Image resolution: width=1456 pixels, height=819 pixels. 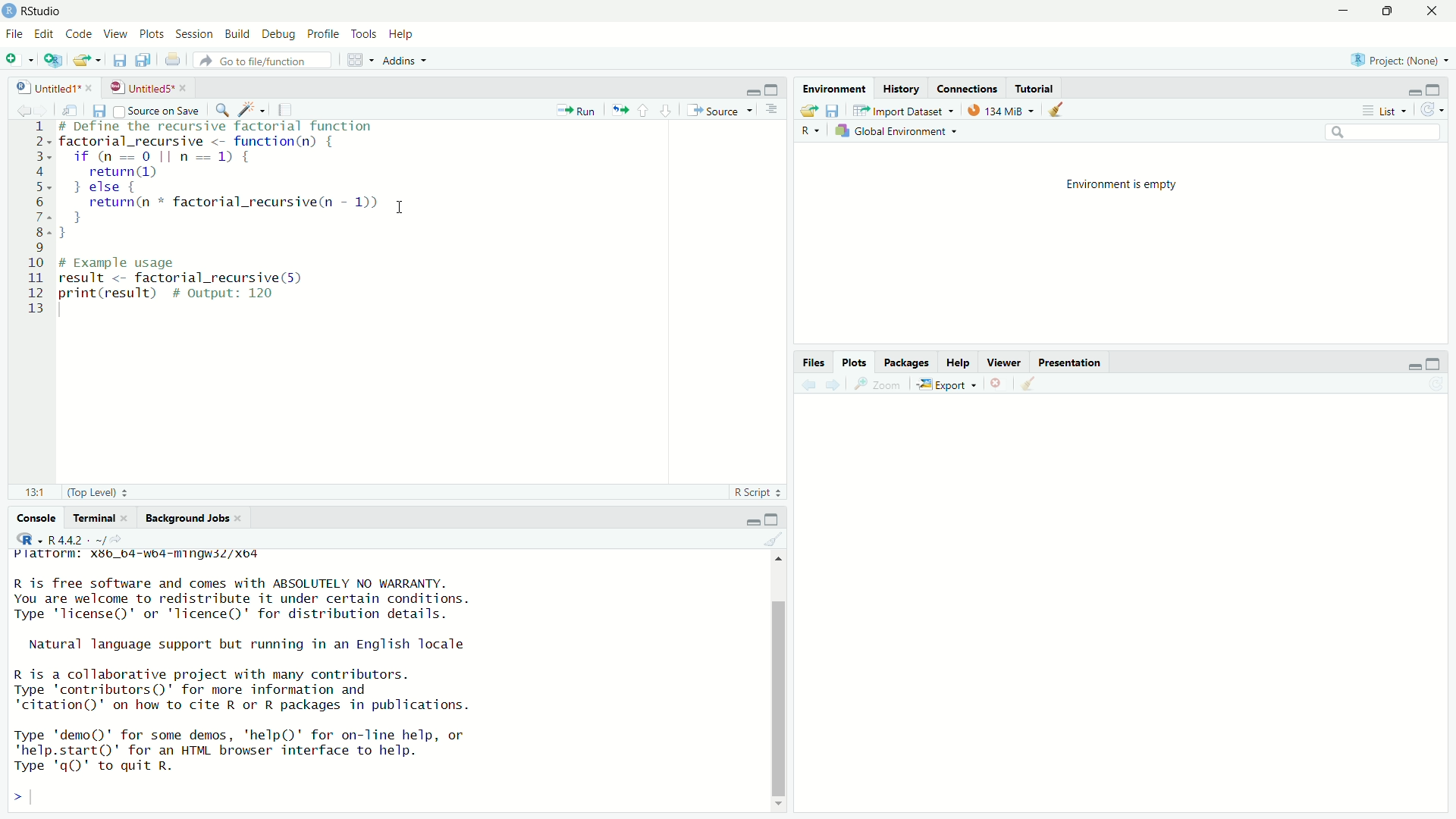 I want to click on Flatrorm. XxX38b_b4-wo4-mingwsZ/xo4

R is free software and comes with ABSOLUTELY NO WARRANTY.

You are welcome to redistribute it under certain conditions.

Type 'license()' or 'licence(D' for distribution details.
Natural language support but running in an English locale

R is a collaborative project with many contributors.

Type 'contributors()' for more information and

‘citation()' on how to cite R or R packages in publications.

Type 'demo()' for some demos, 'help()' for on-line help, or

'help.start()' for an HTML browser interface to help.

Type 'q()' to quit R., so click(x=259, y=662).